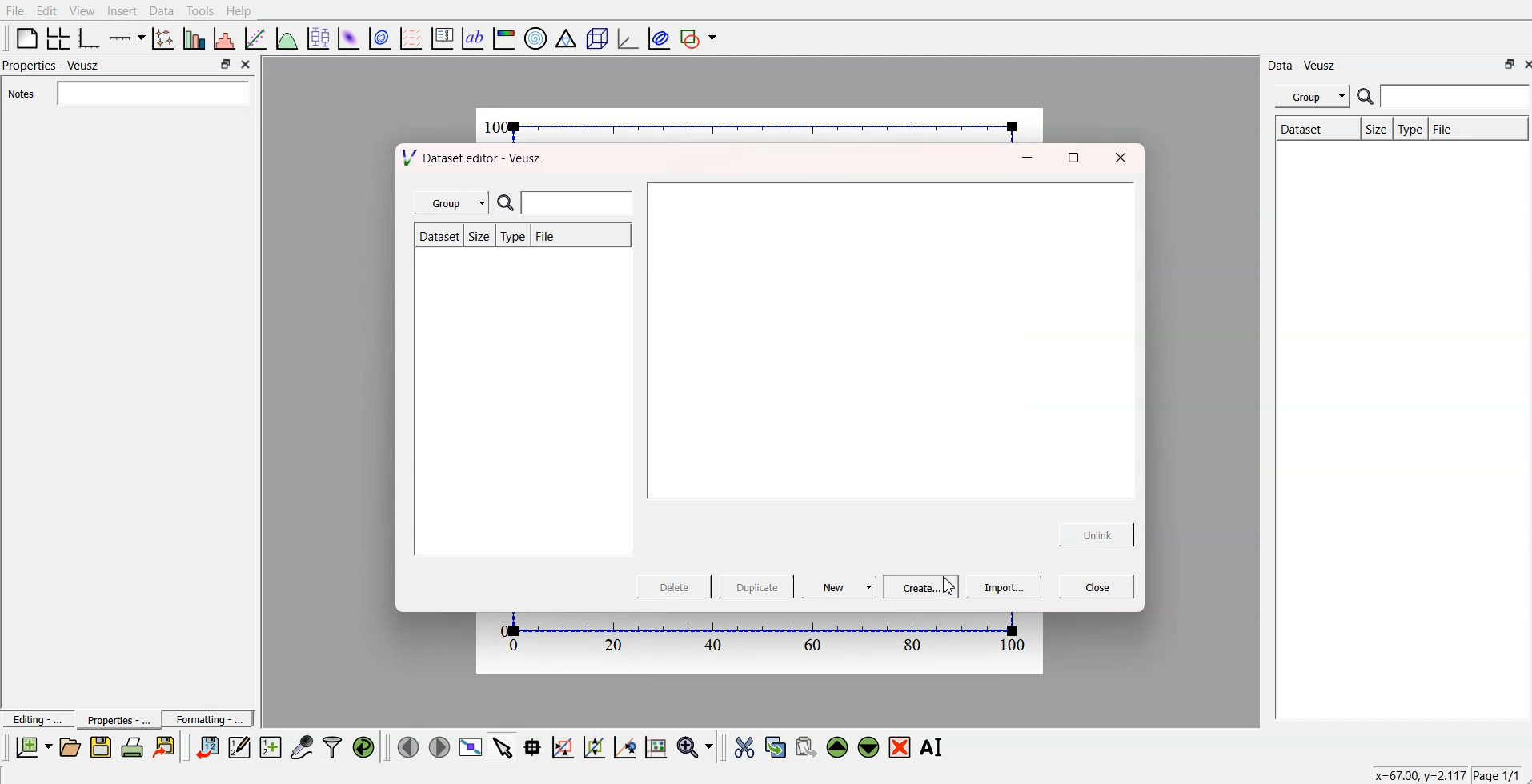 The image size is (1532, 784). What do you see at coordinates (922, 586) in the screenshot?
I see `Create` at bounding box center [922, 586].